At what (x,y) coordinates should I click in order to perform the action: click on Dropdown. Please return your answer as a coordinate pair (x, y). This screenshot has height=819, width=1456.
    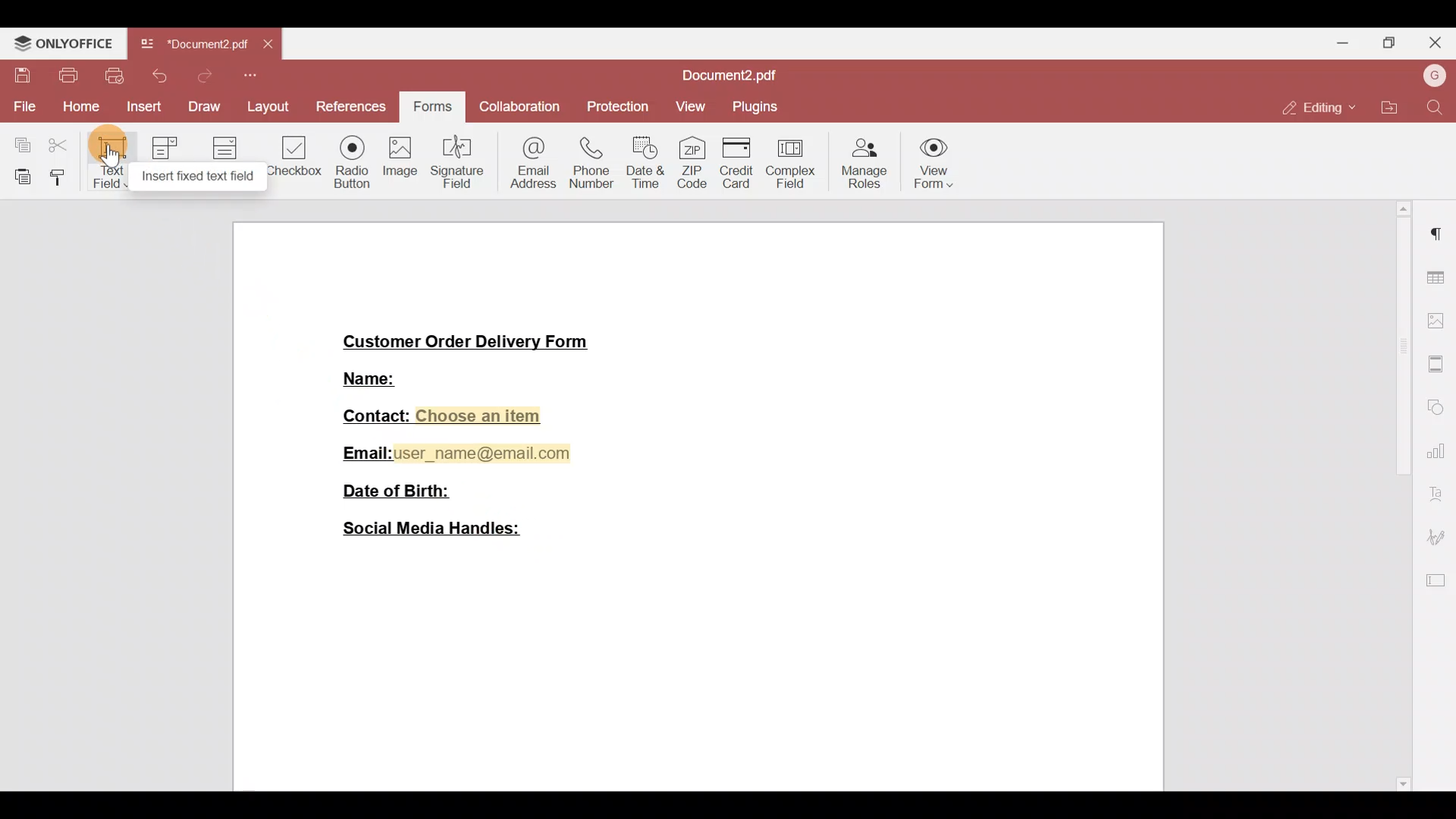
    Looking at the image, I should click on (227, 158).